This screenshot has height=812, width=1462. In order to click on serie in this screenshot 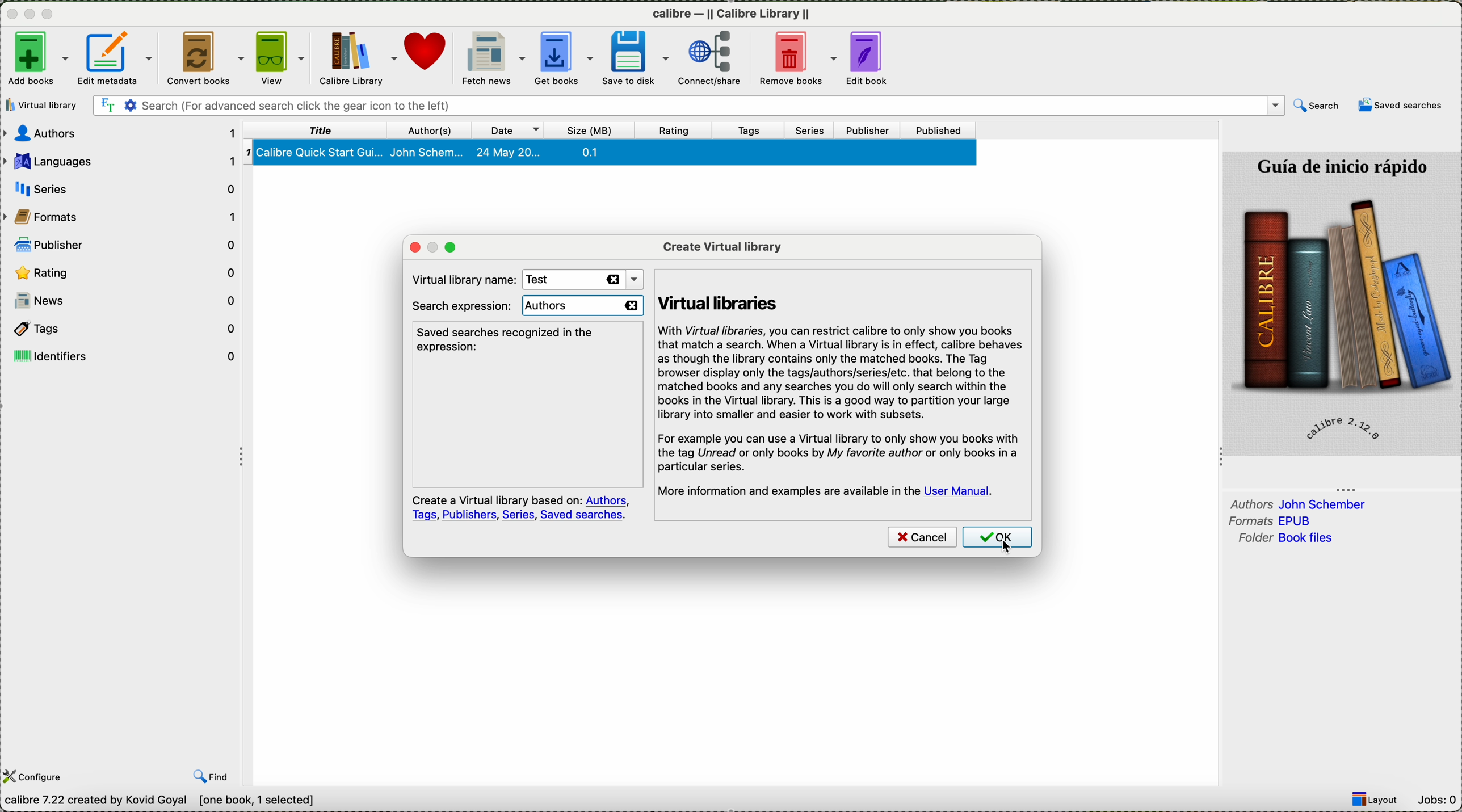, I will do `click(123, 187)`.